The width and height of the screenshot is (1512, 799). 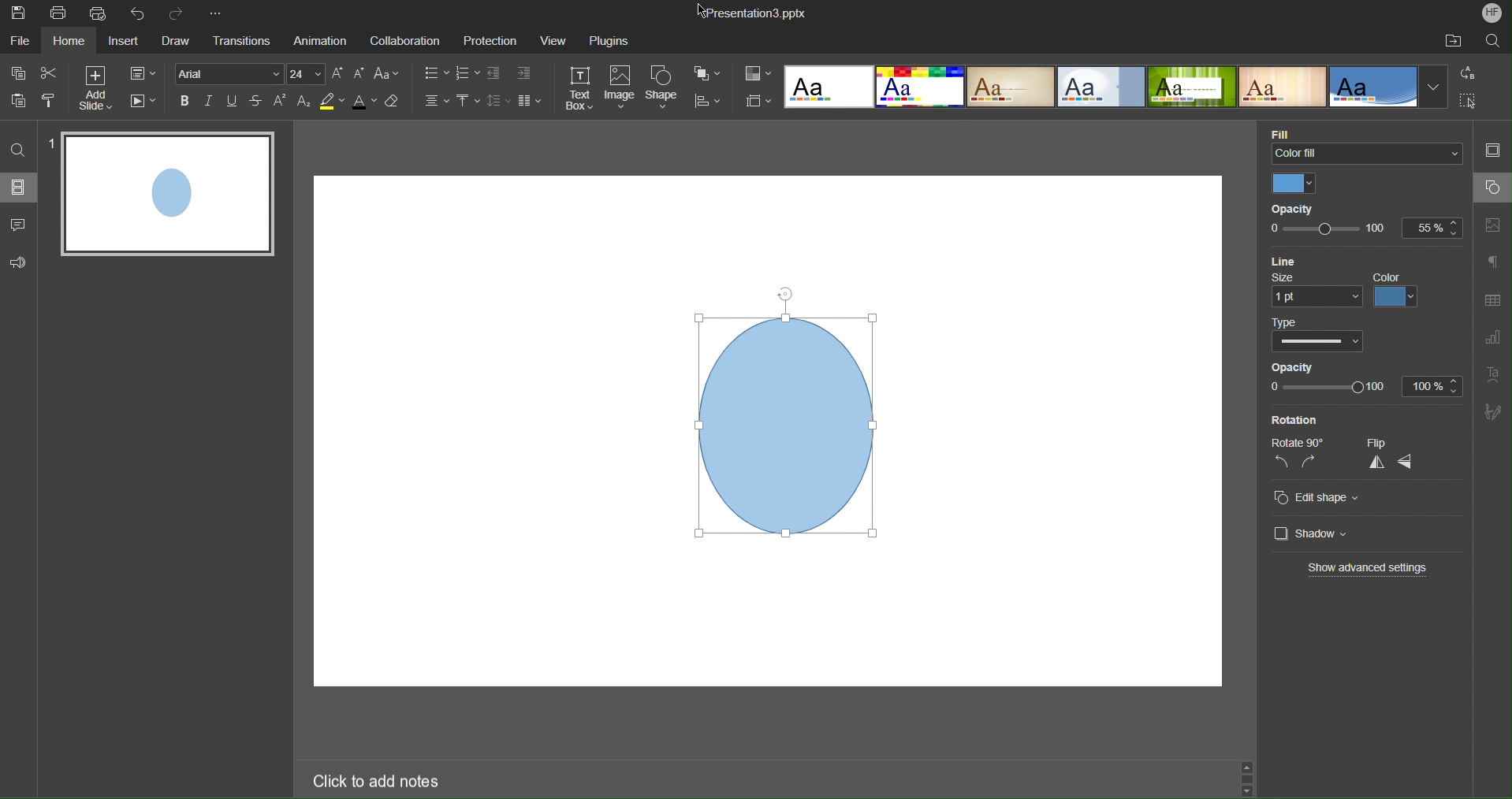 What do you see at coordinates (1376, 441) in the screenshot?
I see `Flip` at bounding box center [1376, 441].